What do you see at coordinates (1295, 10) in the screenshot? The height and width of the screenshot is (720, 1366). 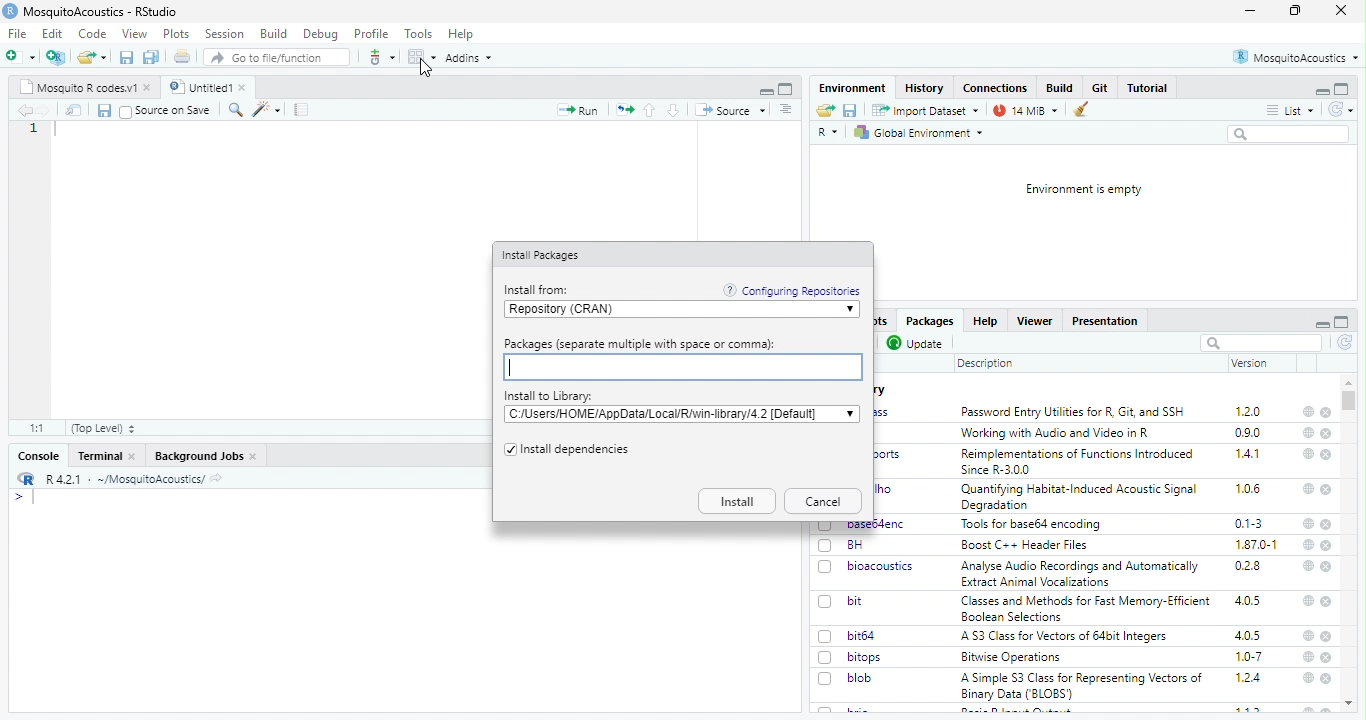 I see `maximise` at bounding box center [1295, 10].